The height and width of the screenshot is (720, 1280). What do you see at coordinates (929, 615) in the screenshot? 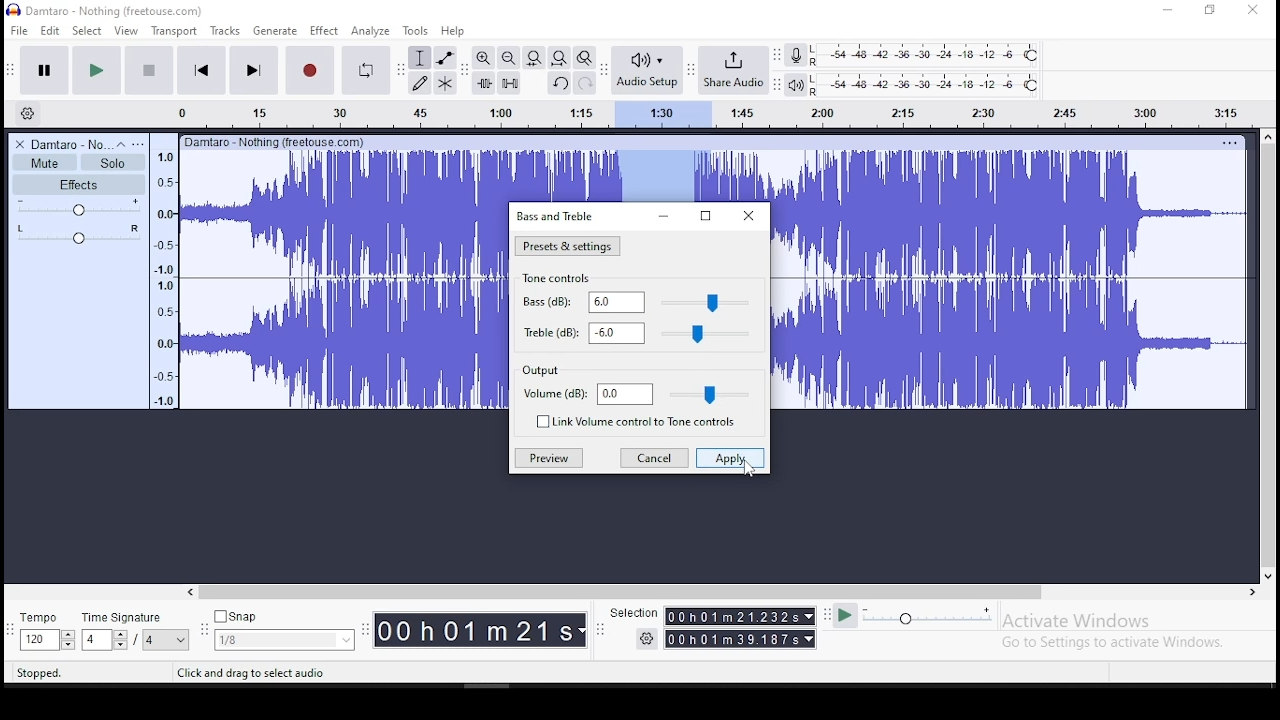
I see `playback speed` at bounding box center [929, 615].